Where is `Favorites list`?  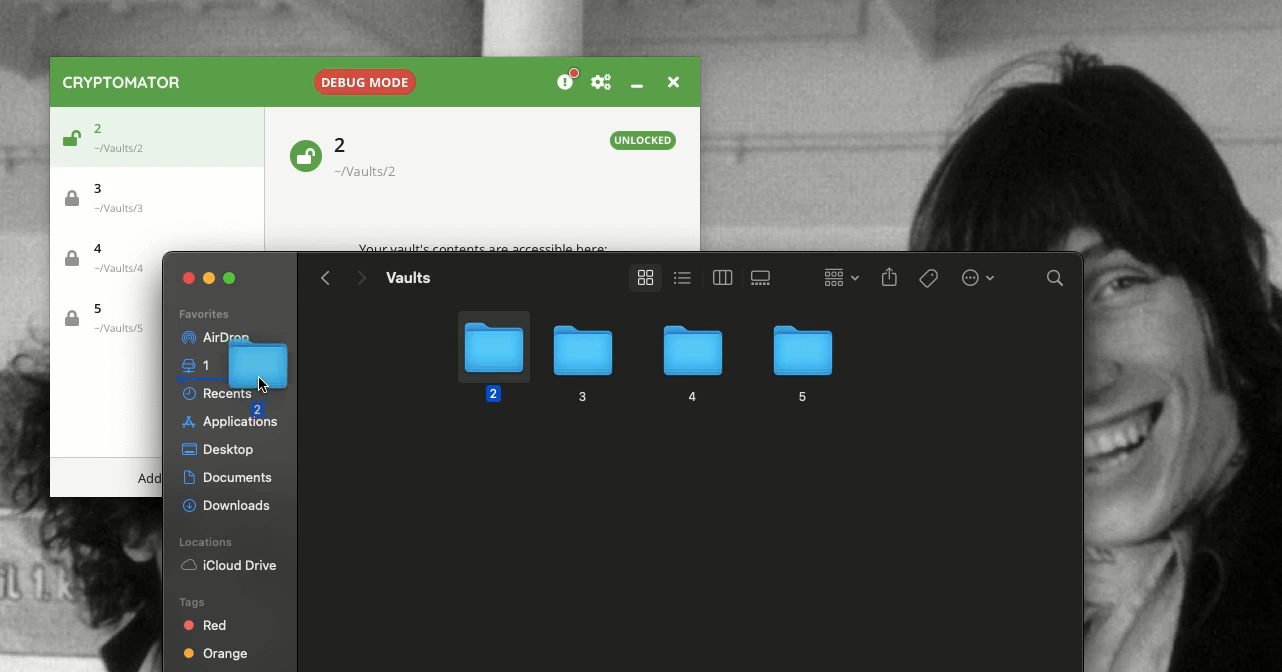 Favorites list is located at coordinates (203, 315).